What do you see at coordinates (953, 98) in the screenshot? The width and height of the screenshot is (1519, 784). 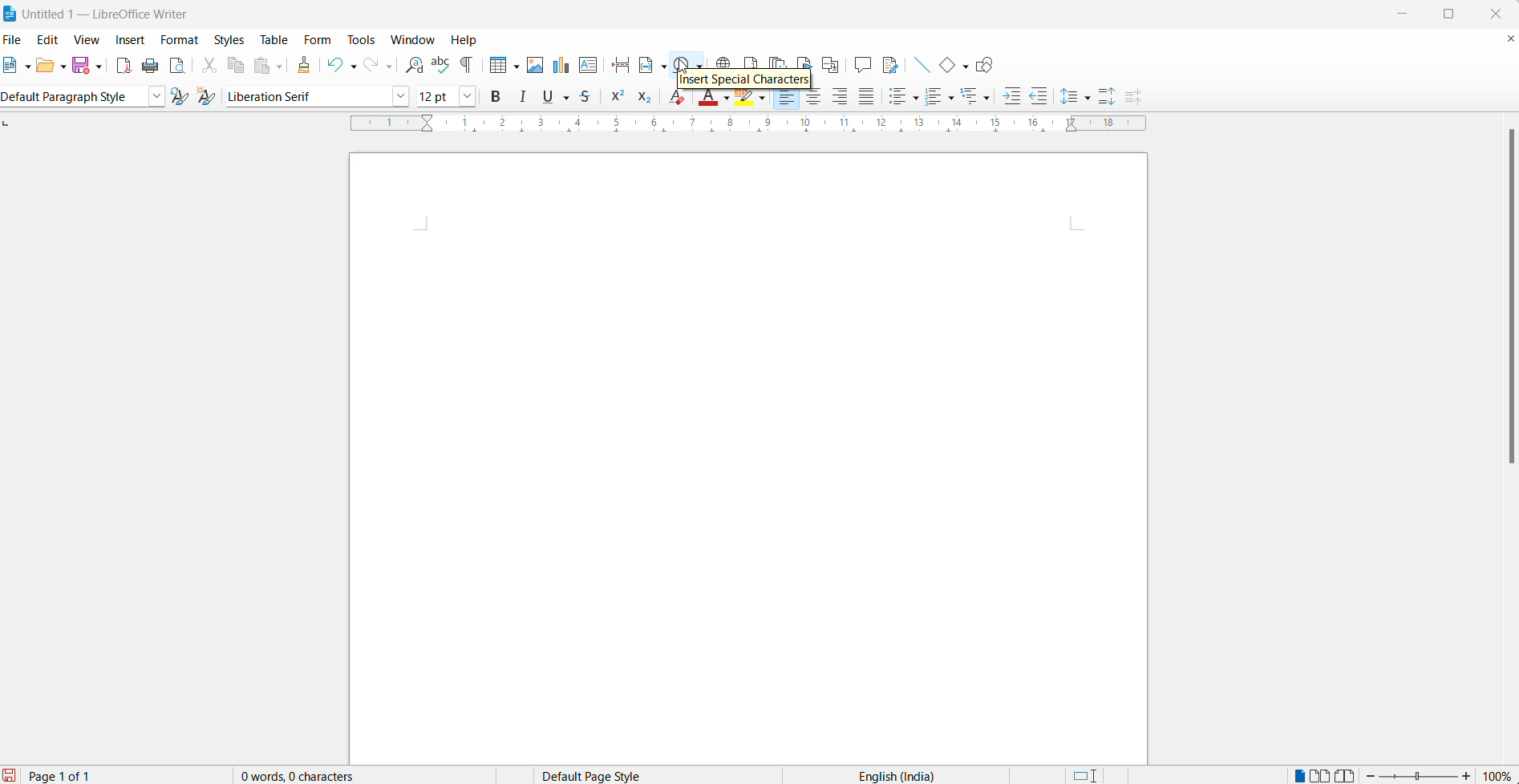 I see `toggle ordered list options` at bounding box center [953, 98].